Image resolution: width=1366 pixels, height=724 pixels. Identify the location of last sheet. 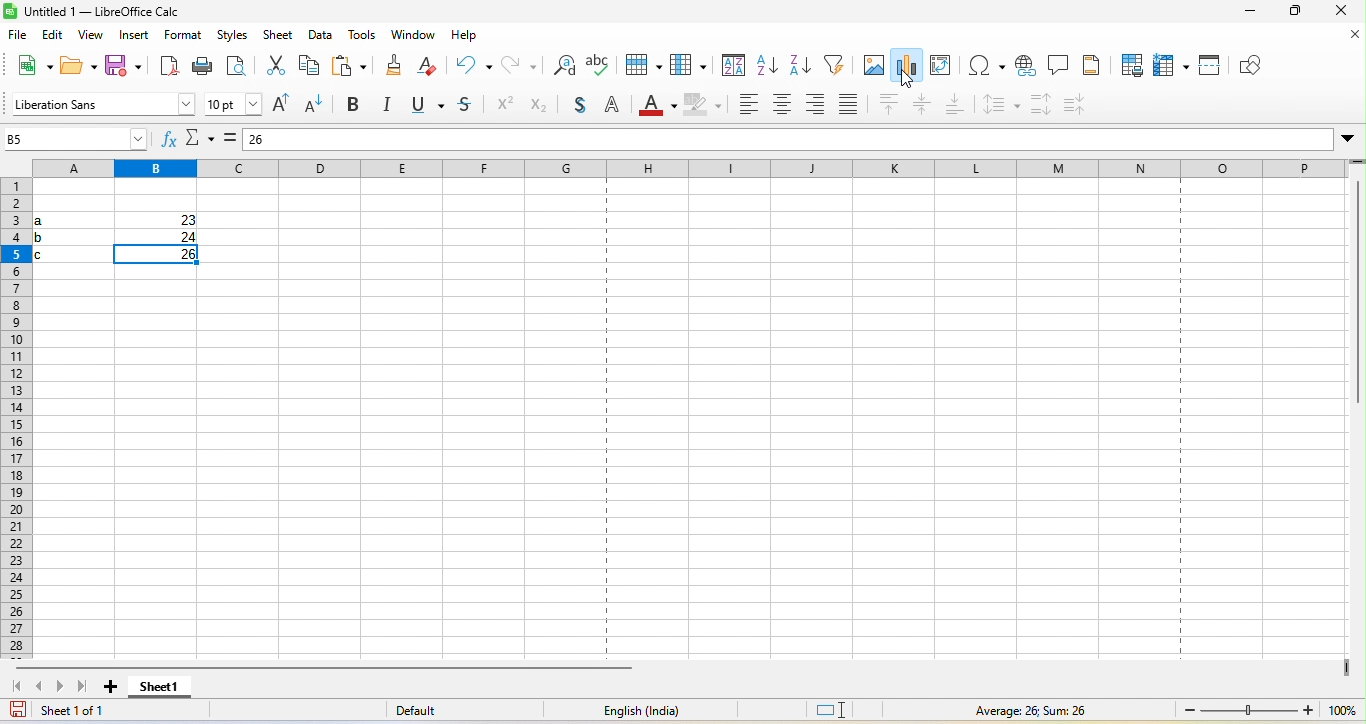
(84, 689).